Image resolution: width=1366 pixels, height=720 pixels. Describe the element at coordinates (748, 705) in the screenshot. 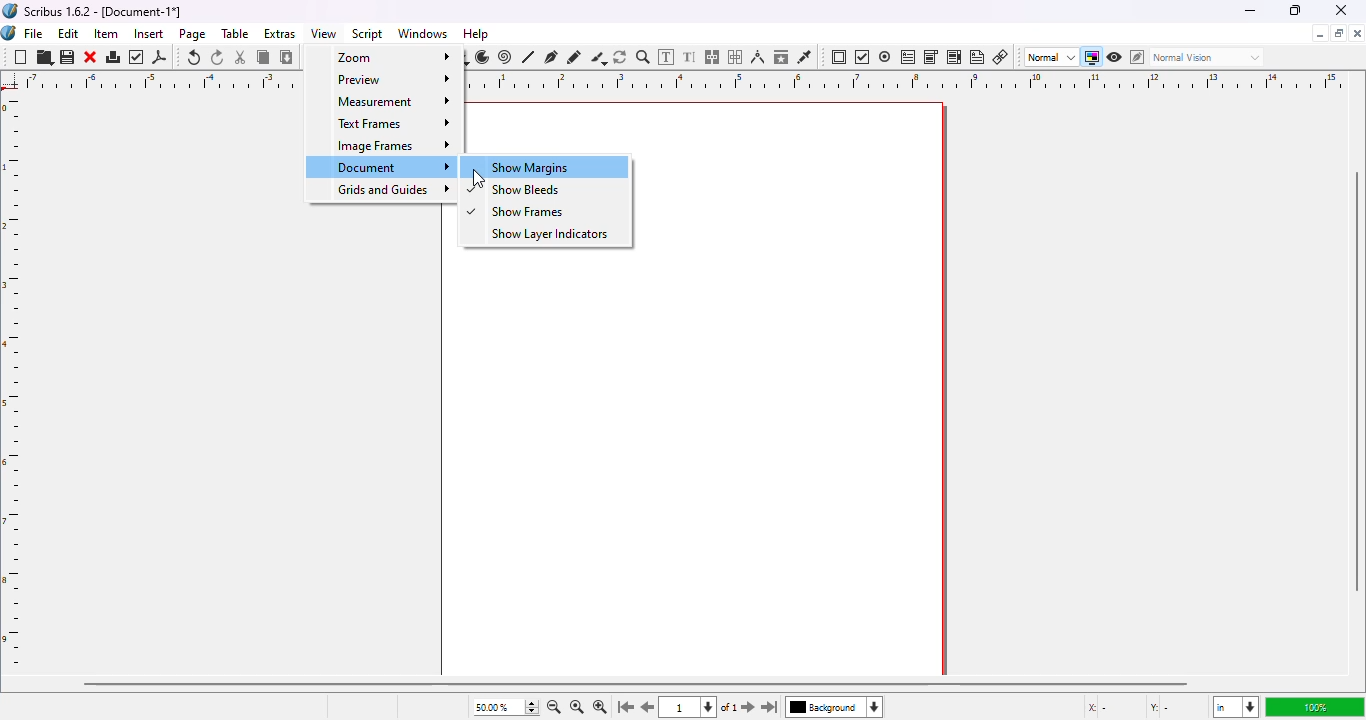

I see `go to the next page` at that location.